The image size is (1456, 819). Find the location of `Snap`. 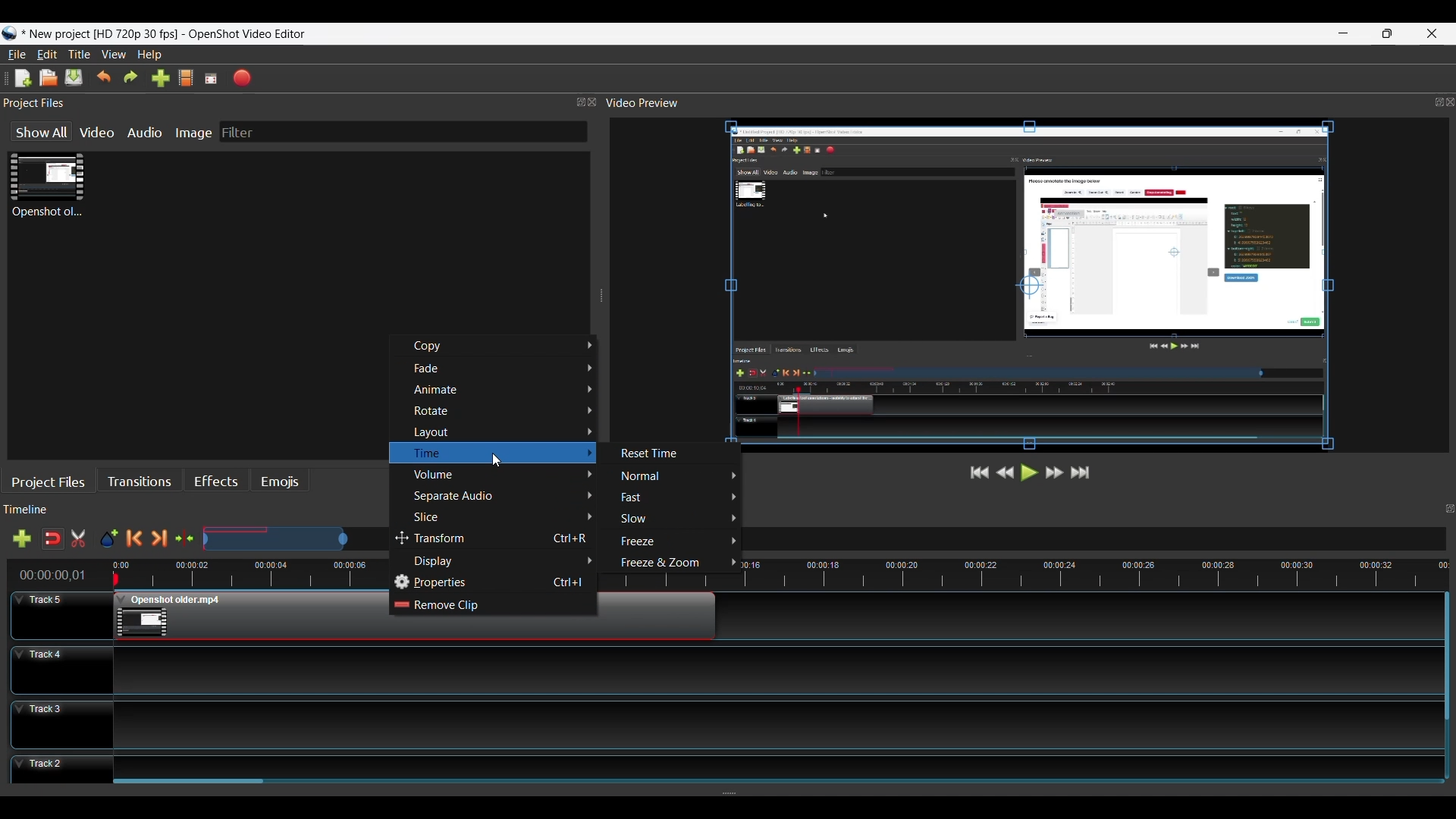

Snap is located at coordinates (52, 539).